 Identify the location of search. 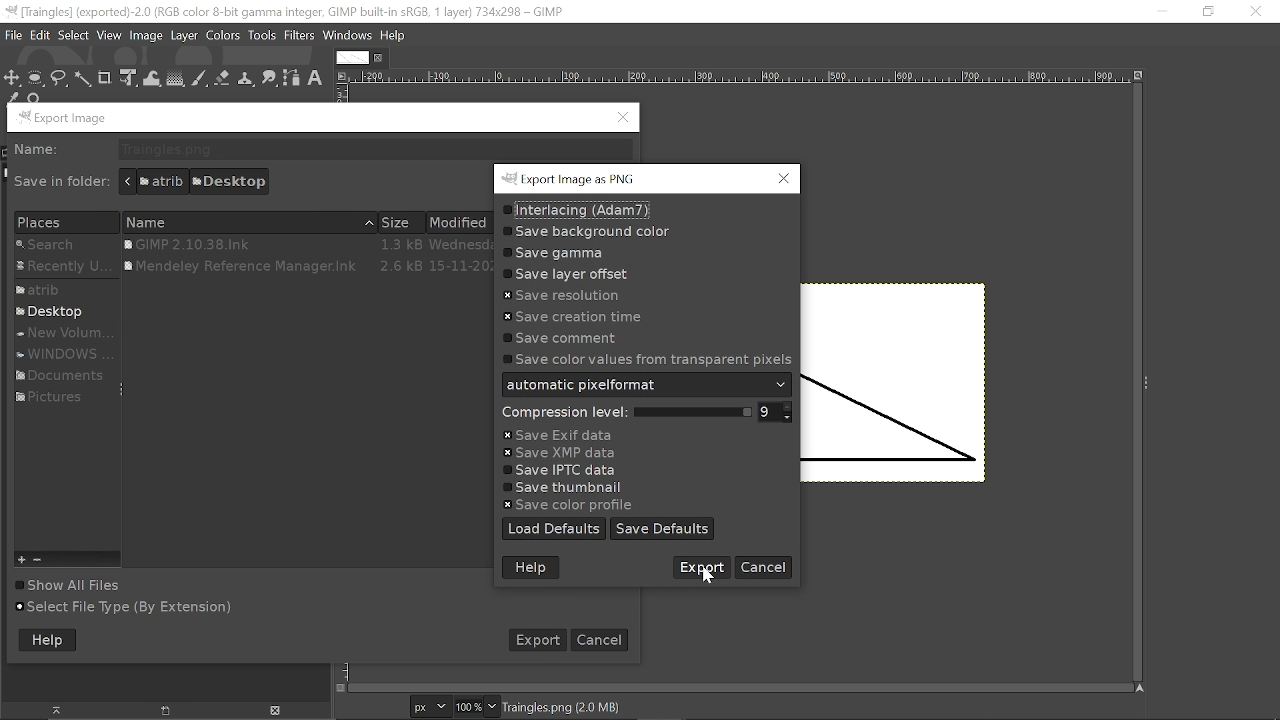
(64, 246).